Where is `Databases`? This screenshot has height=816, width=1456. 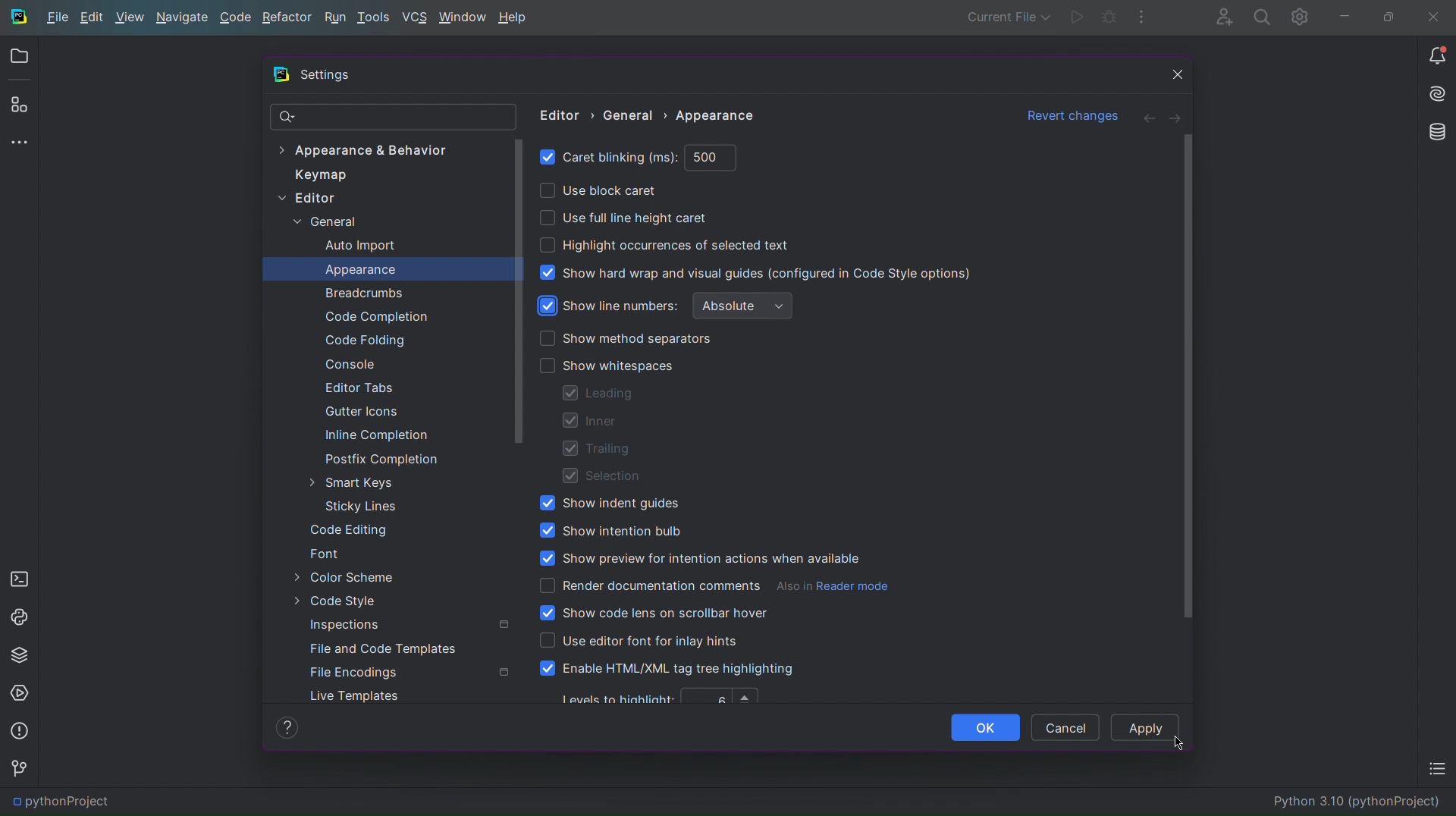
Databases is located at coordinates (1434, 132).